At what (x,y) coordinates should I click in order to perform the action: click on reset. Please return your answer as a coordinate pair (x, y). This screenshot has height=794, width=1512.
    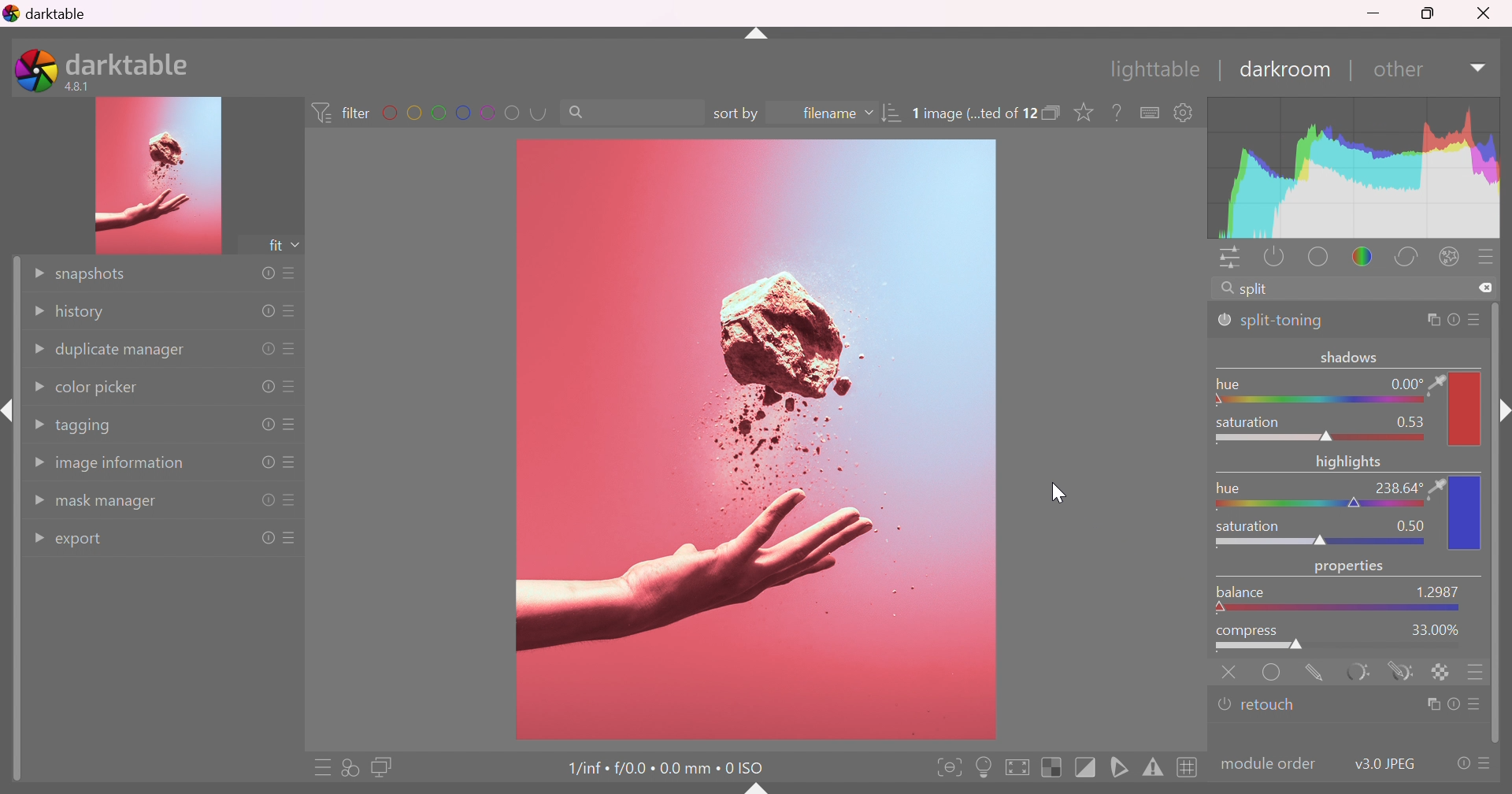
    Looking at the image, I should click on (268, 387).